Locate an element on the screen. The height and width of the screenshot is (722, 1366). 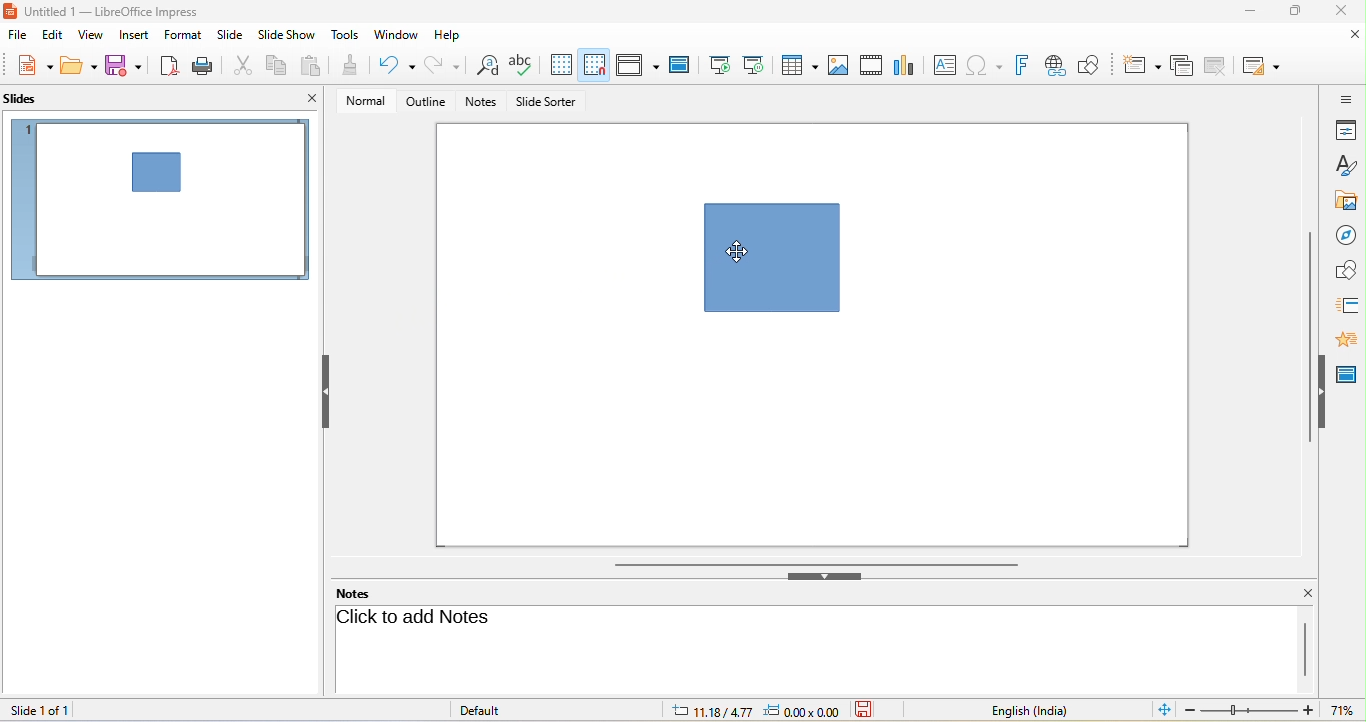
slide layout is located at coordinates (1263, 67).